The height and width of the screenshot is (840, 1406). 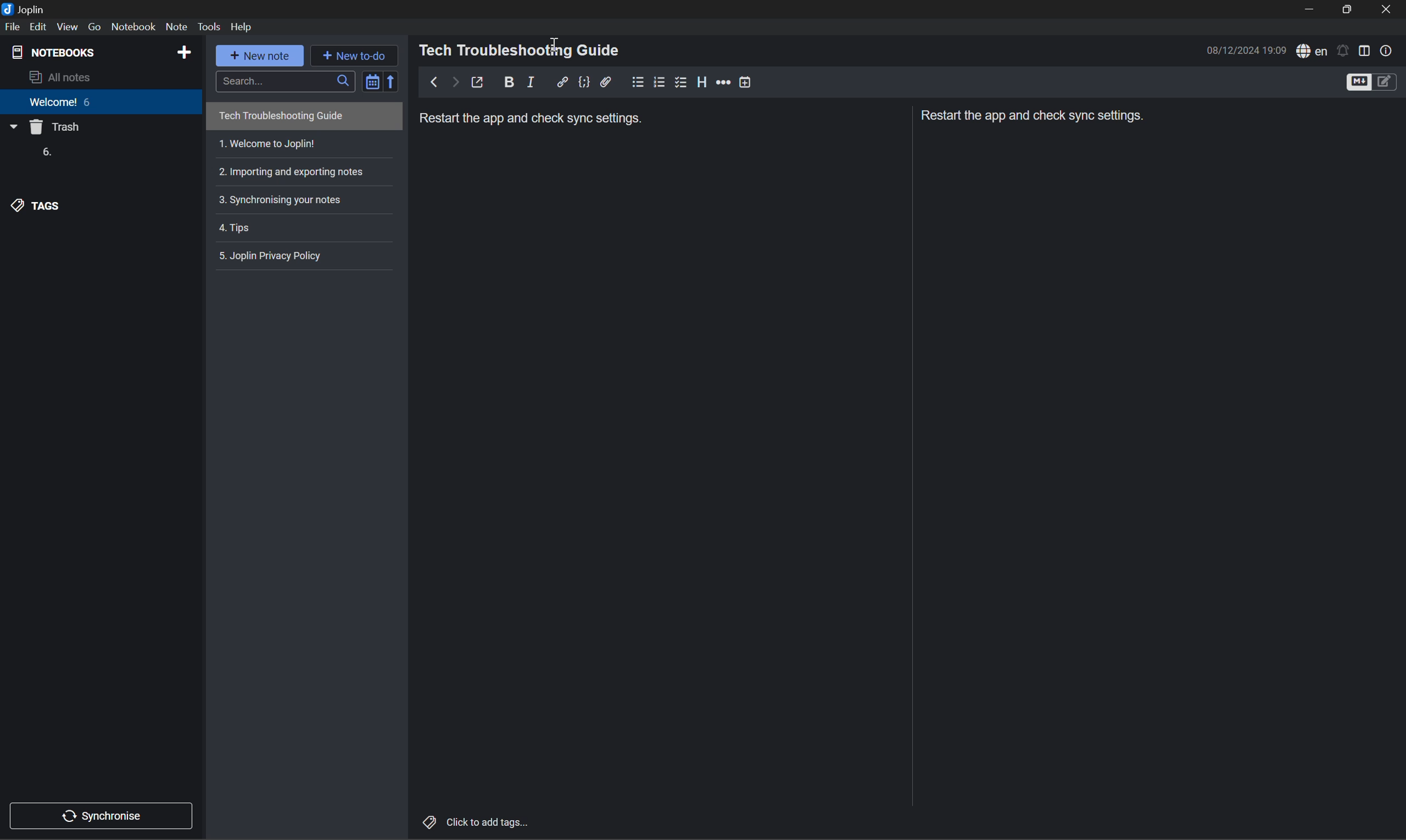 What do you see at coordinates (211, 27) in the screenshot?
I see `Tools` at bounding box center [211, 27].